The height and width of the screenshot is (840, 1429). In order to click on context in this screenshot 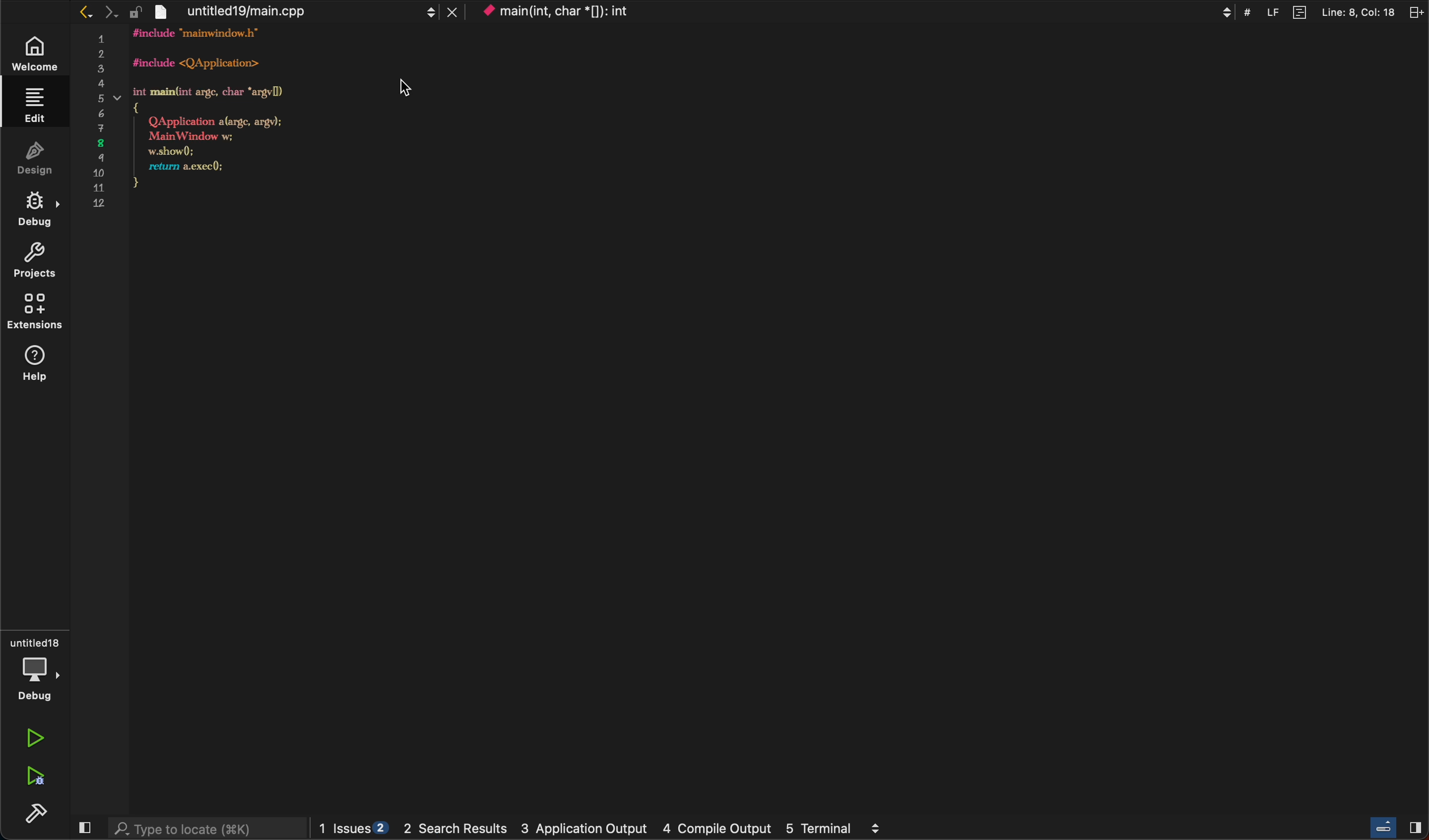, I will do `click(570, 13)`.